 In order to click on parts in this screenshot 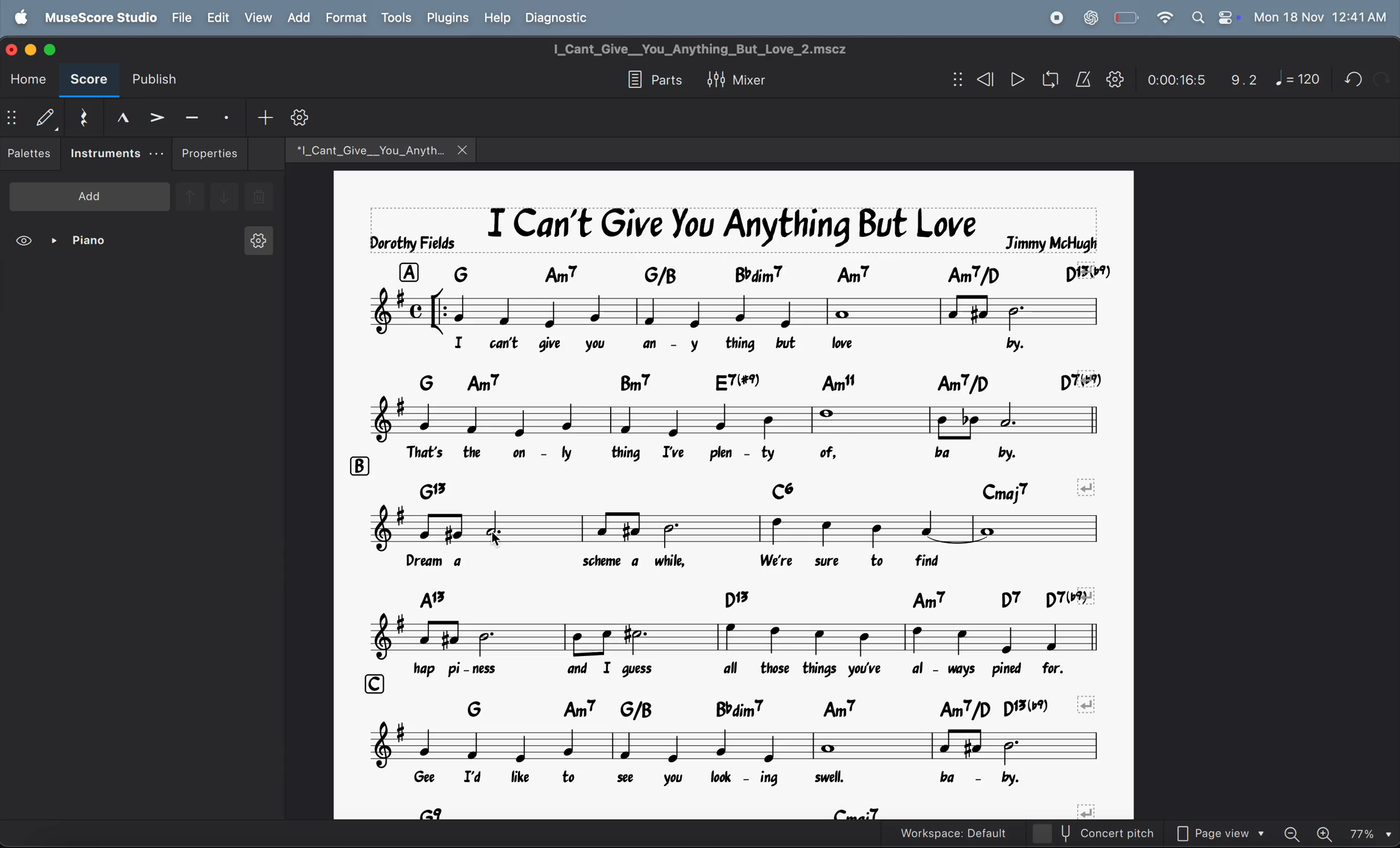, I will do `click(648, 80)`.